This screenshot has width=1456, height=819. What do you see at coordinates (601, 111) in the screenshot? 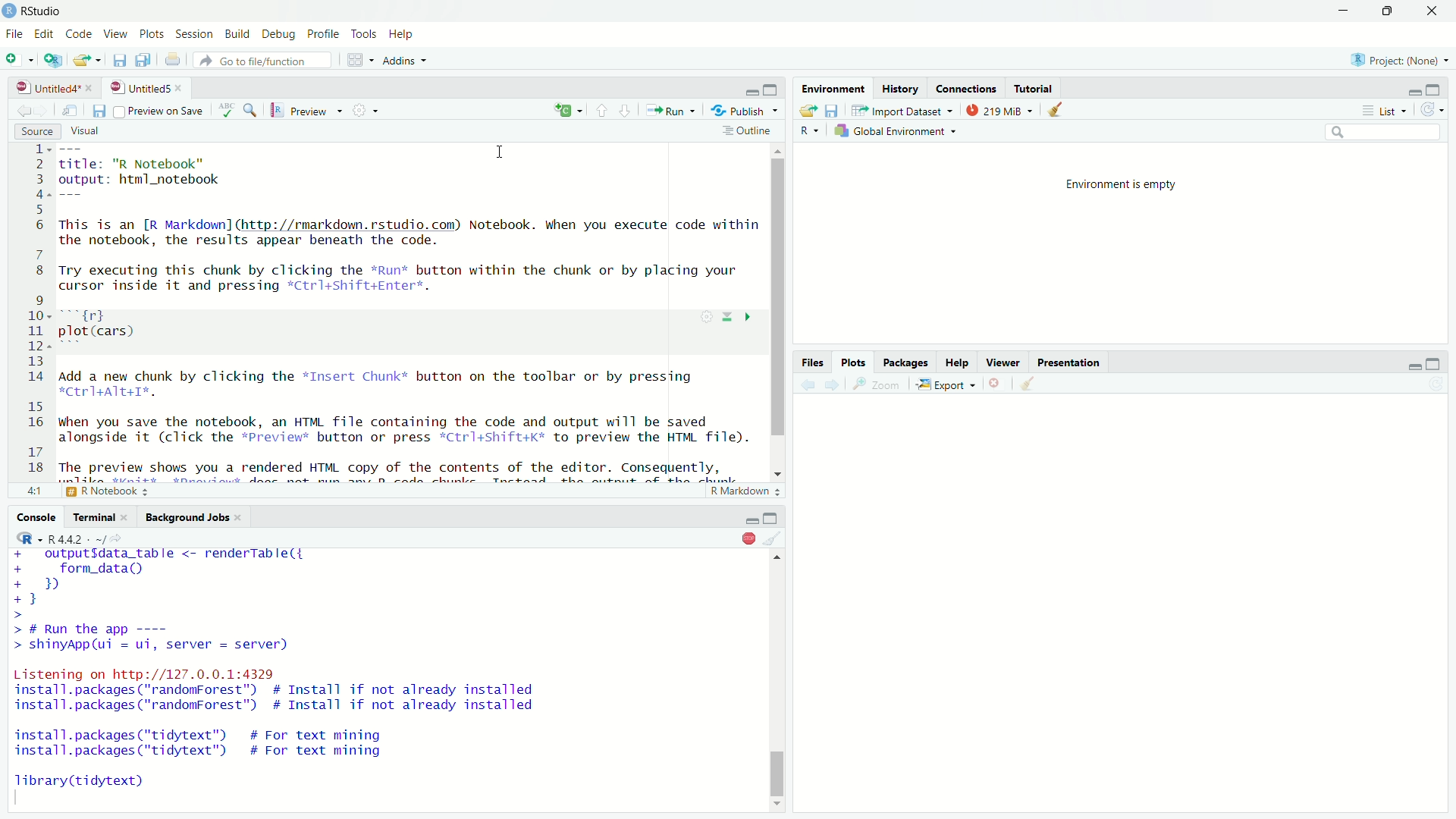
I see `go to previous section` at bounding box center [601, 111].